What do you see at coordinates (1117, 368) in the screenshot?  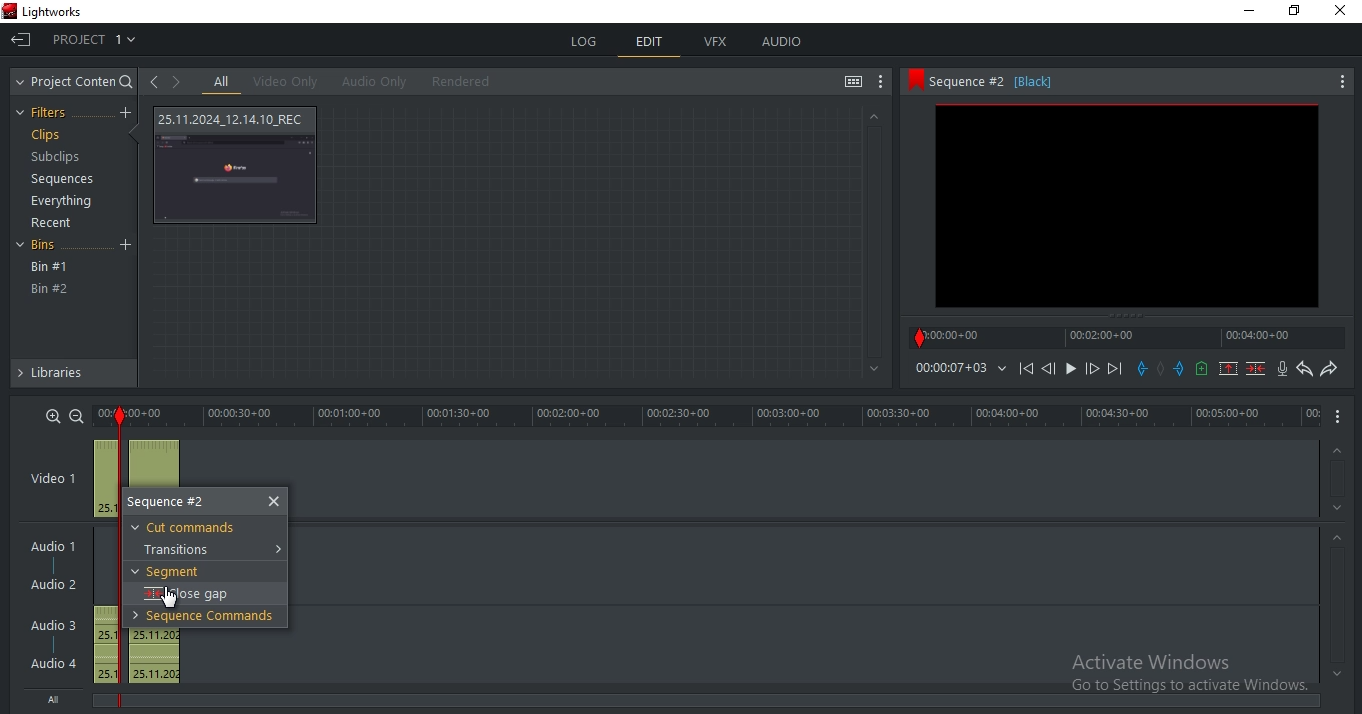 I see `Next` at bounding box center [1117, 368].